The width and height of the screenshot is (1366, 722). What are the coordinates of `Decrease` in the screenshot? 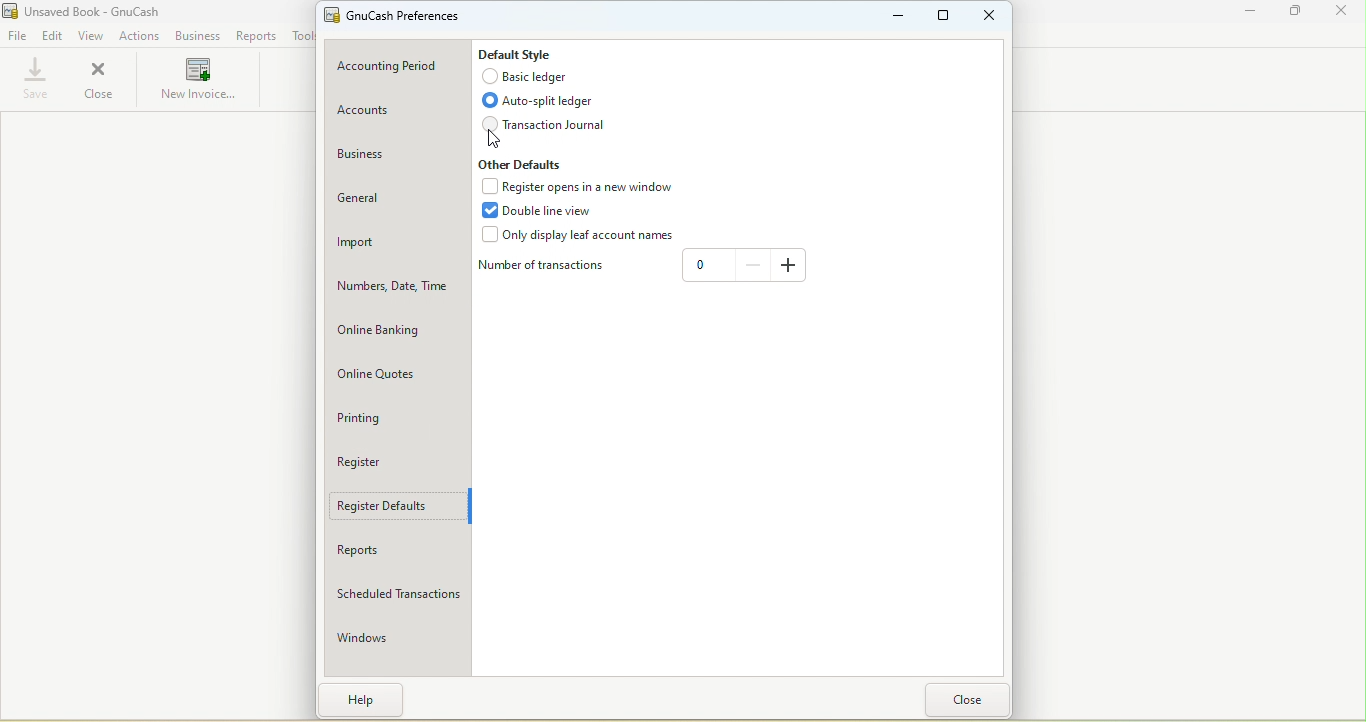 It's located at (749, 266).